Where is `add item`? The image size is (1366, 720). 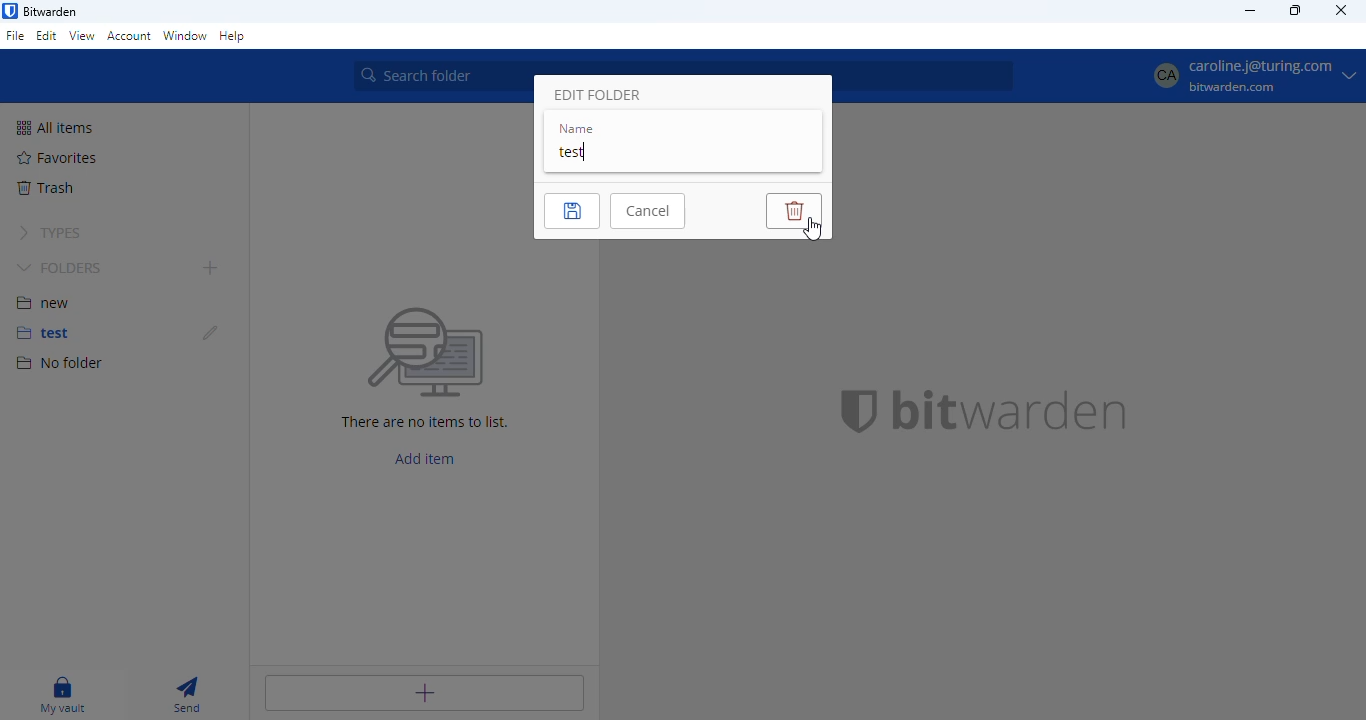 add item is located at coordinates (423, 459).